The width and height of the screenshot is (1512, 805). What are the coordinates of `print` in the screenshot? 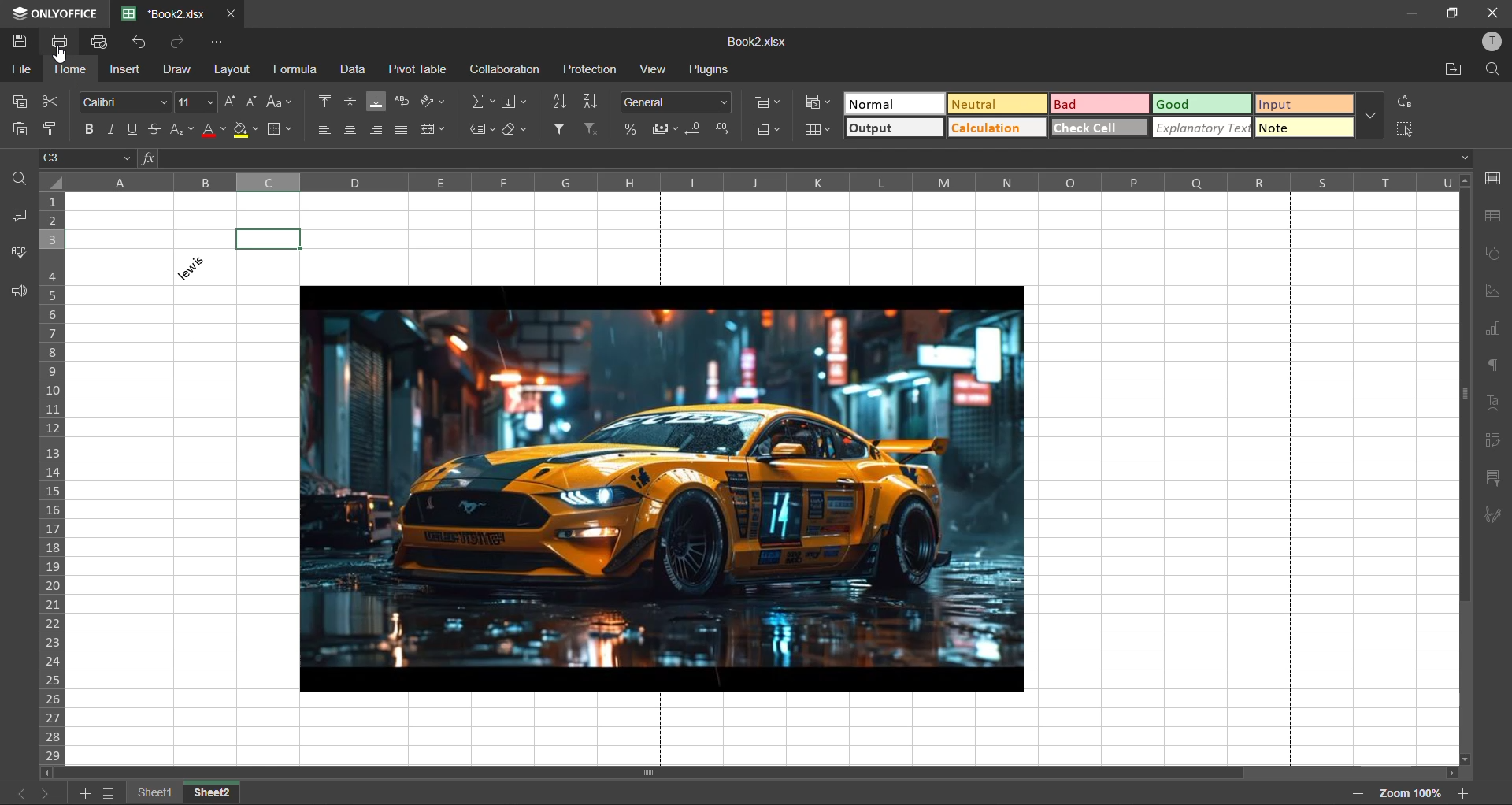 It's located at (65, 42).